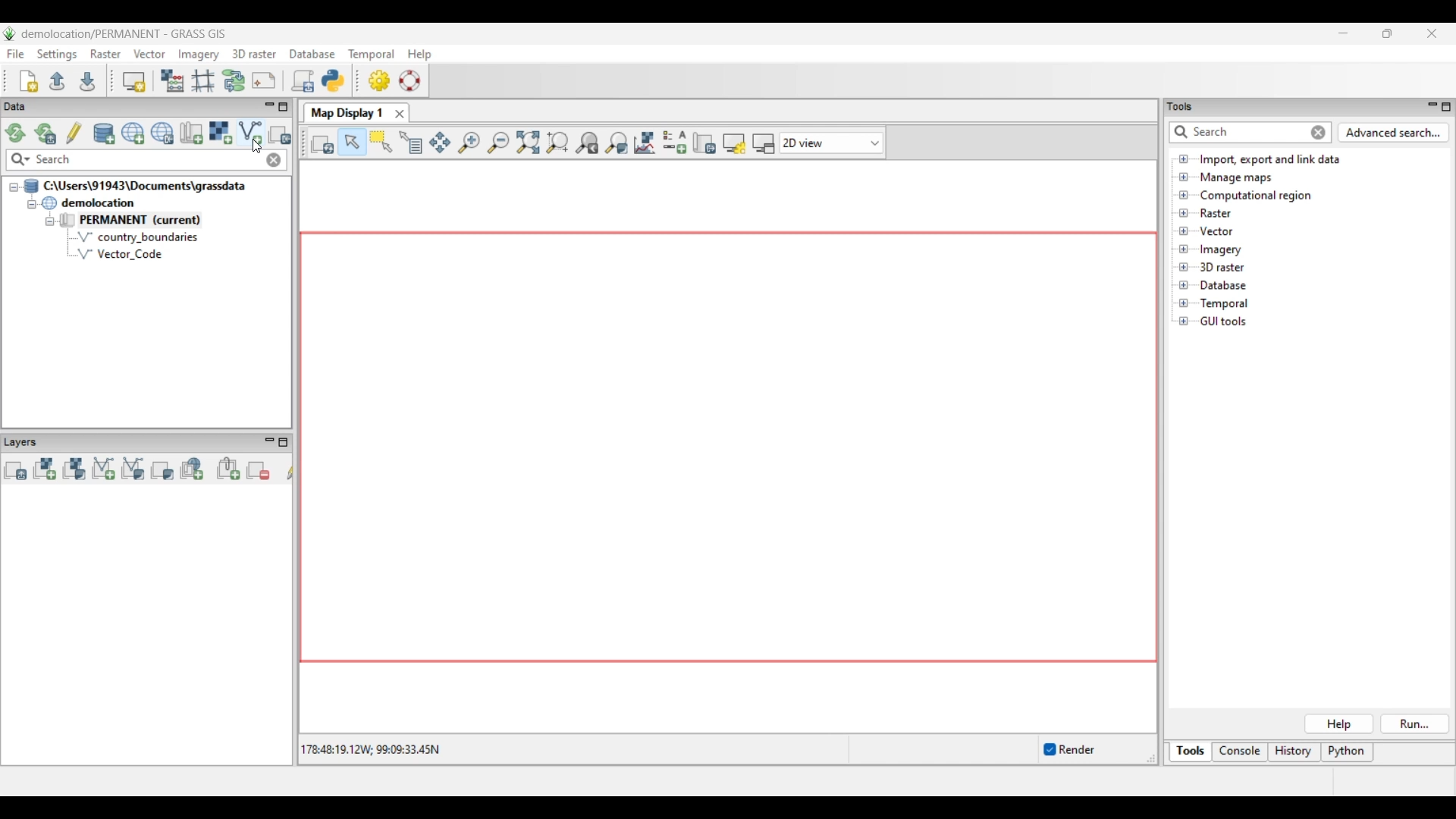  Describe the element at coordinates (138, 237) in the screenshot. I see `country_boundaries` at that location.